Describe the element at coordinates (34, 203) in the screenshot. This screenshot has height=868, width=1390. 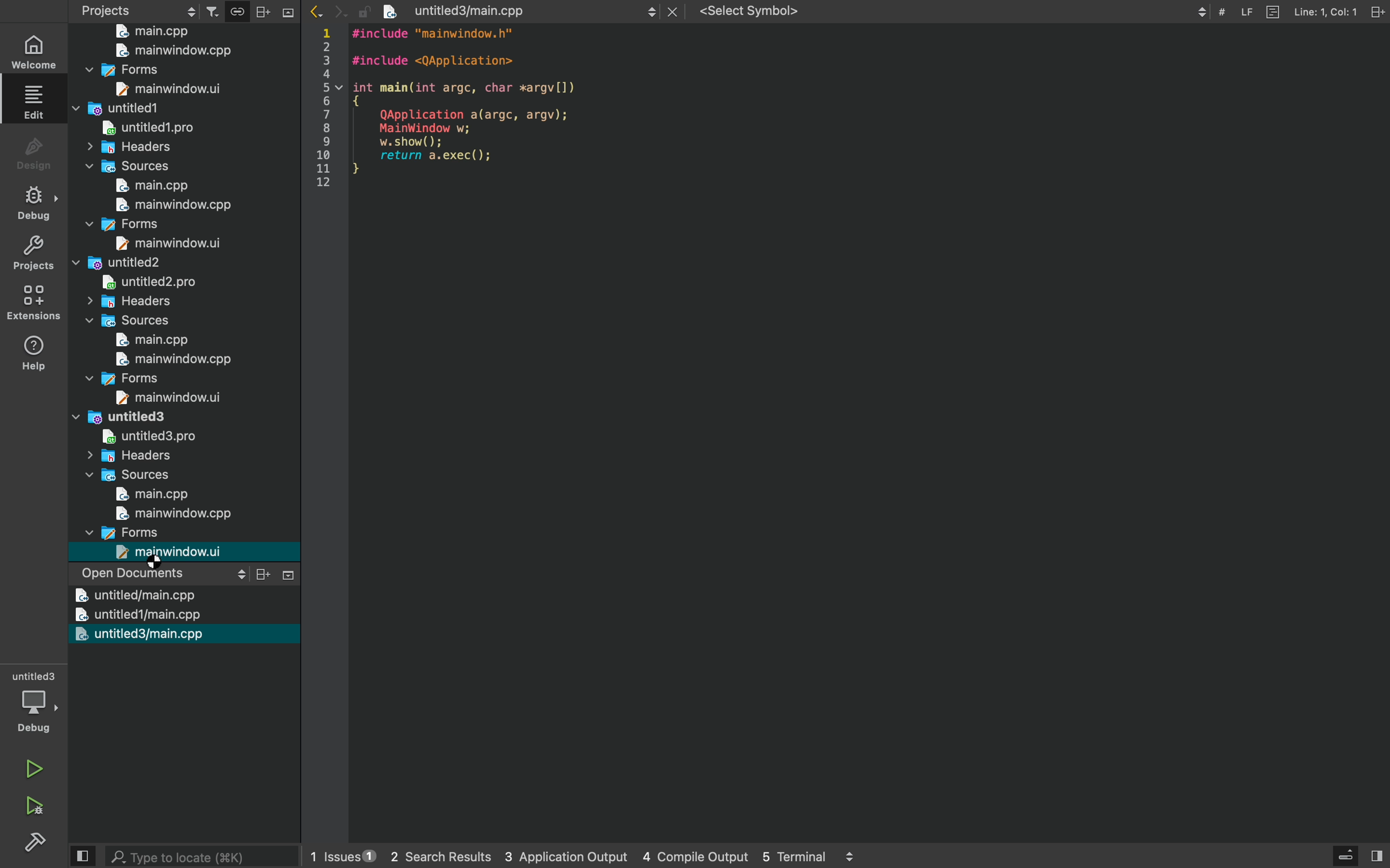
I see `` at that location.